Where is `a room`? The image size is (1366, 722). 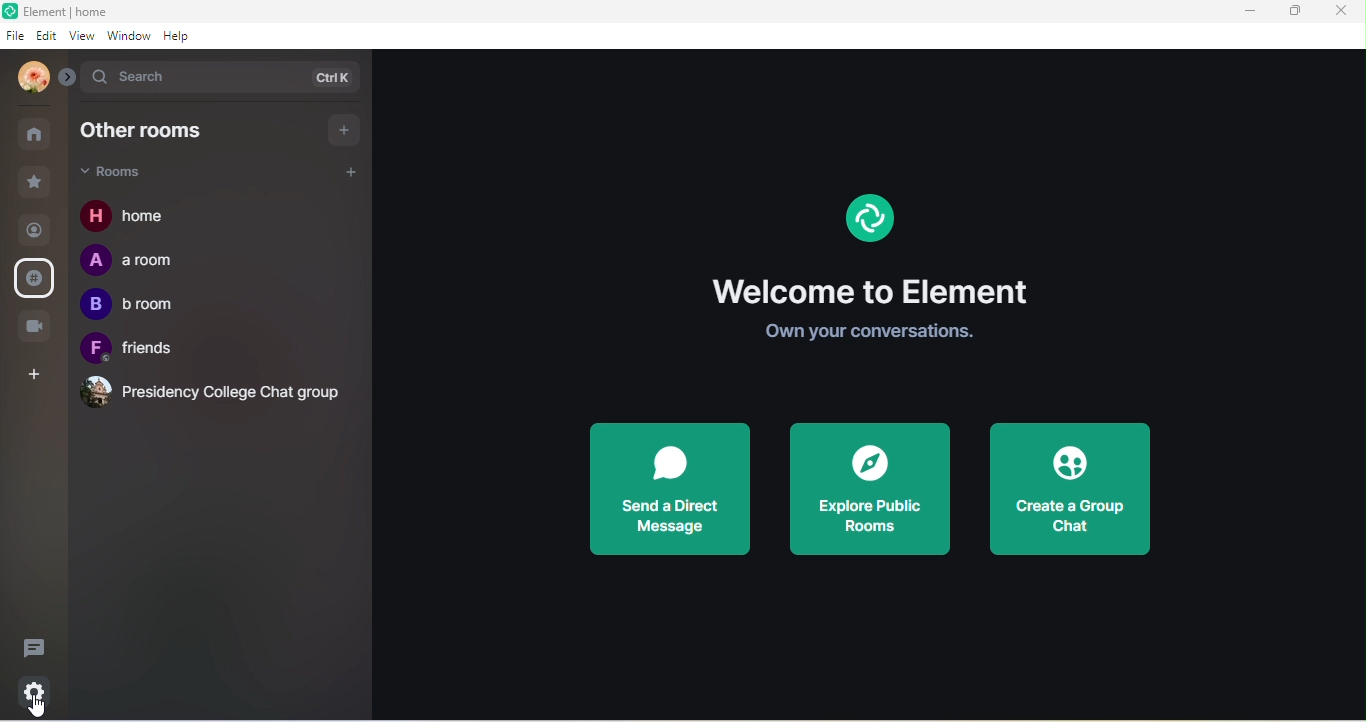
a room is located at coordinates (136, 262).